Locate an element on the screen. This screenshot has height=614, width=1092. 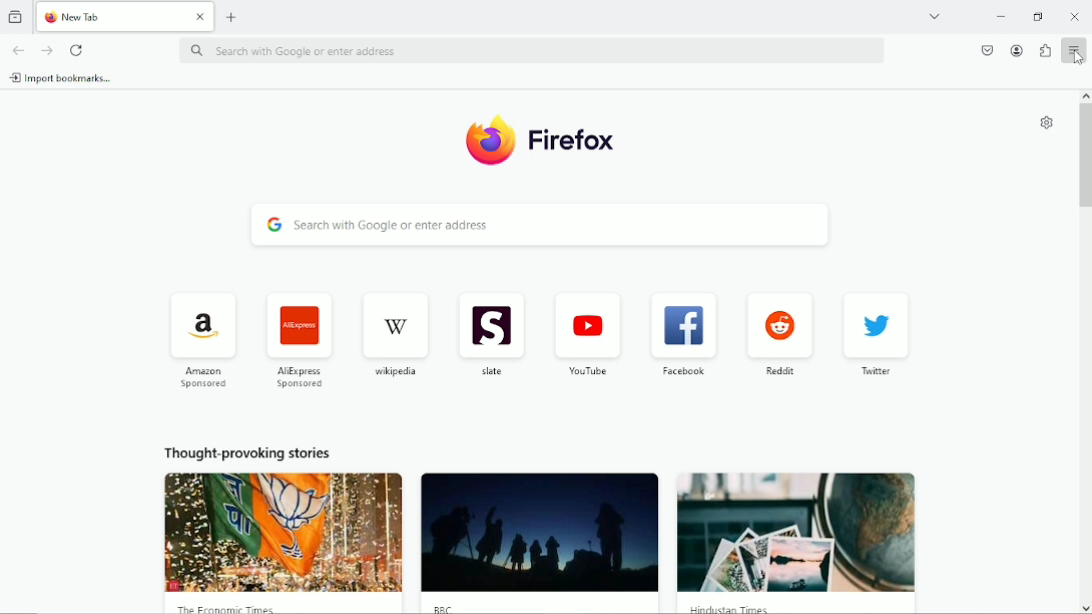
open application menu is located at coordinates (1077, 51).